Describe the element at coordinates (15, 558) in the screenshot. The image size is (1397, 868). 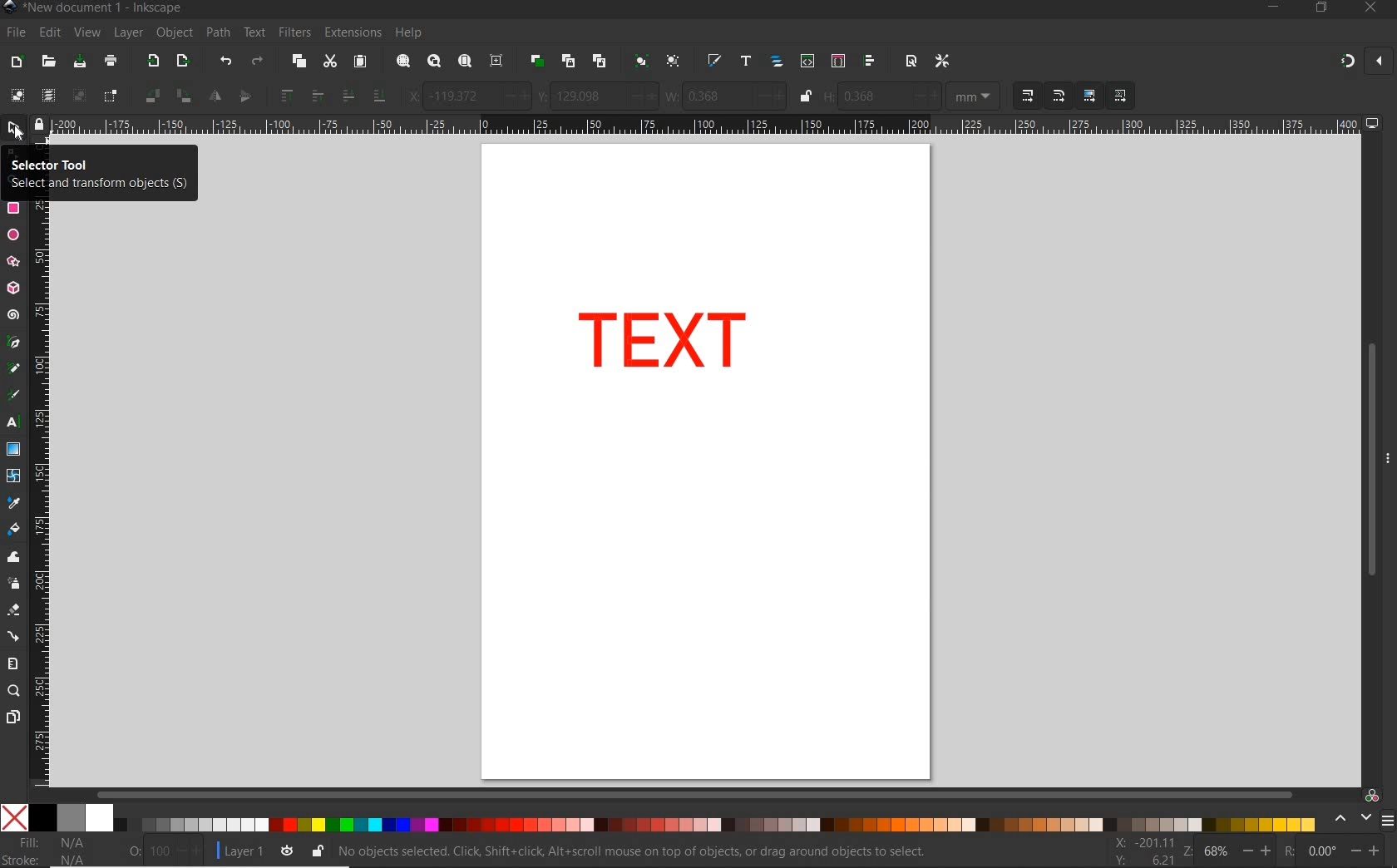
I see `TWEAK TOOL` at that location.